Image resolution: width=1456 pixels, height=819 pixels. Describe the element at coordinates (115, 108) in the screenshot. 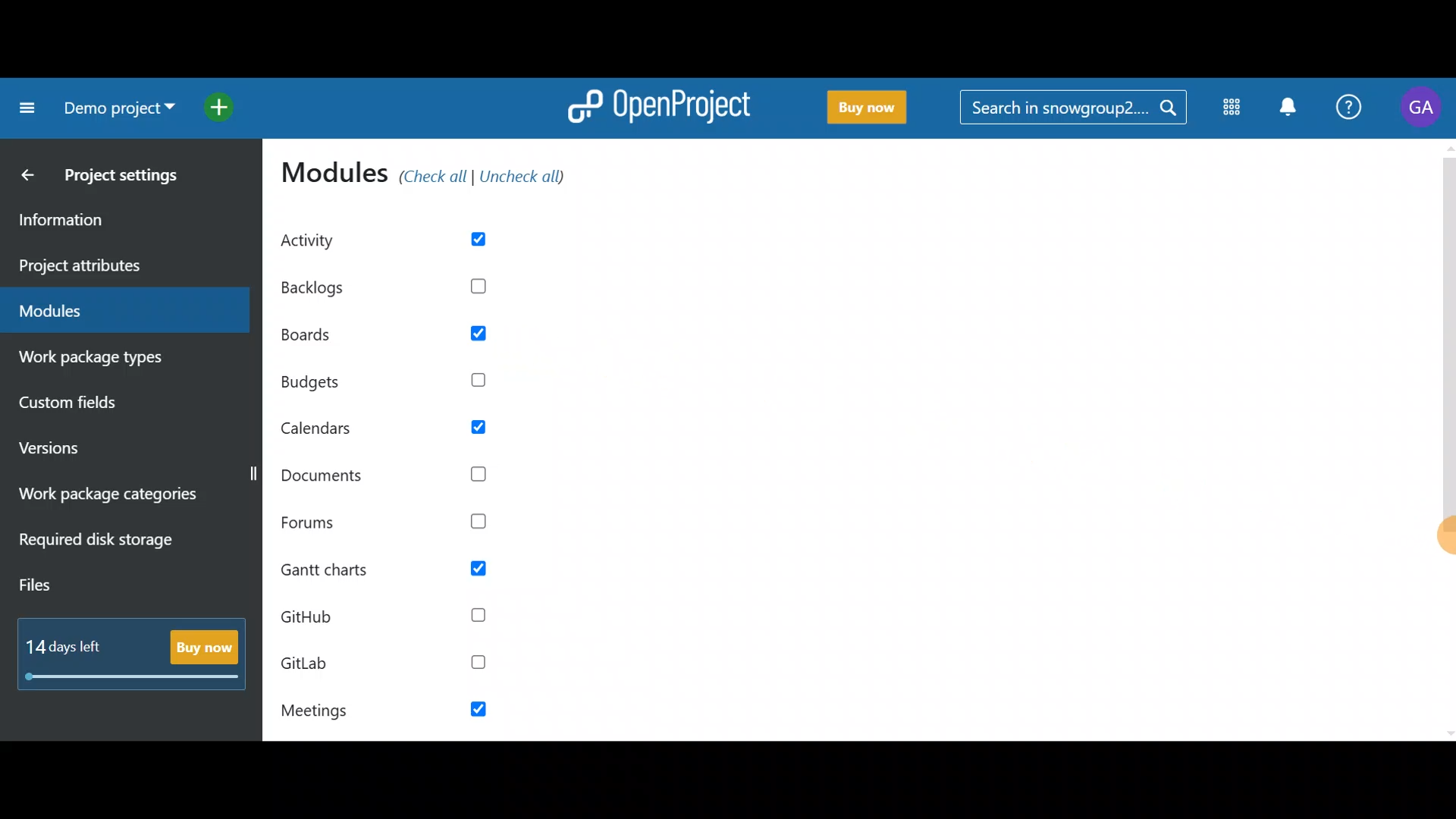

I see `Project name` at that location.